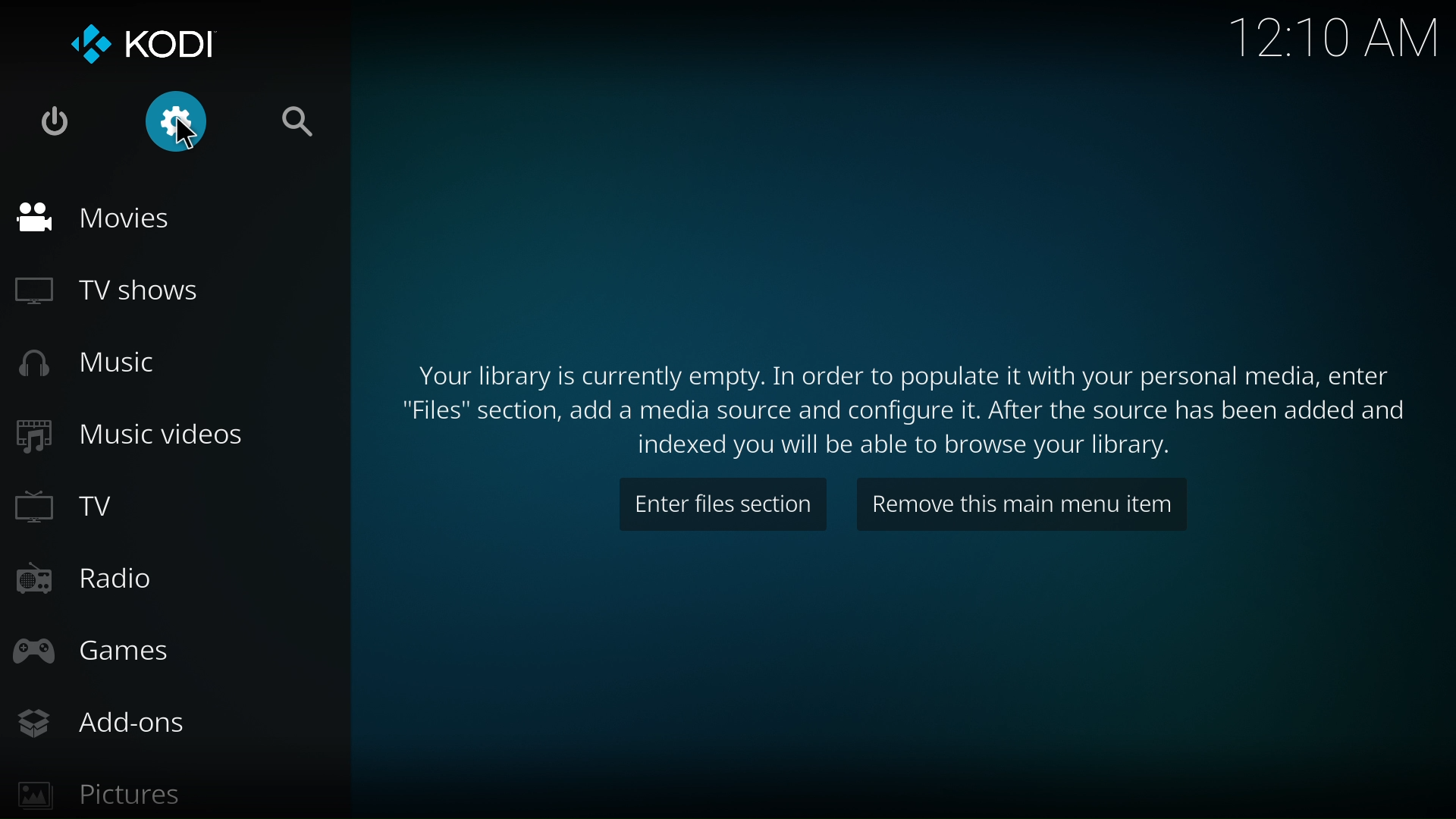 The image size is (1456, 819). Describe the element at coordinates (1337, 39) in the screenshot. I see `12.10 AM` at that location.